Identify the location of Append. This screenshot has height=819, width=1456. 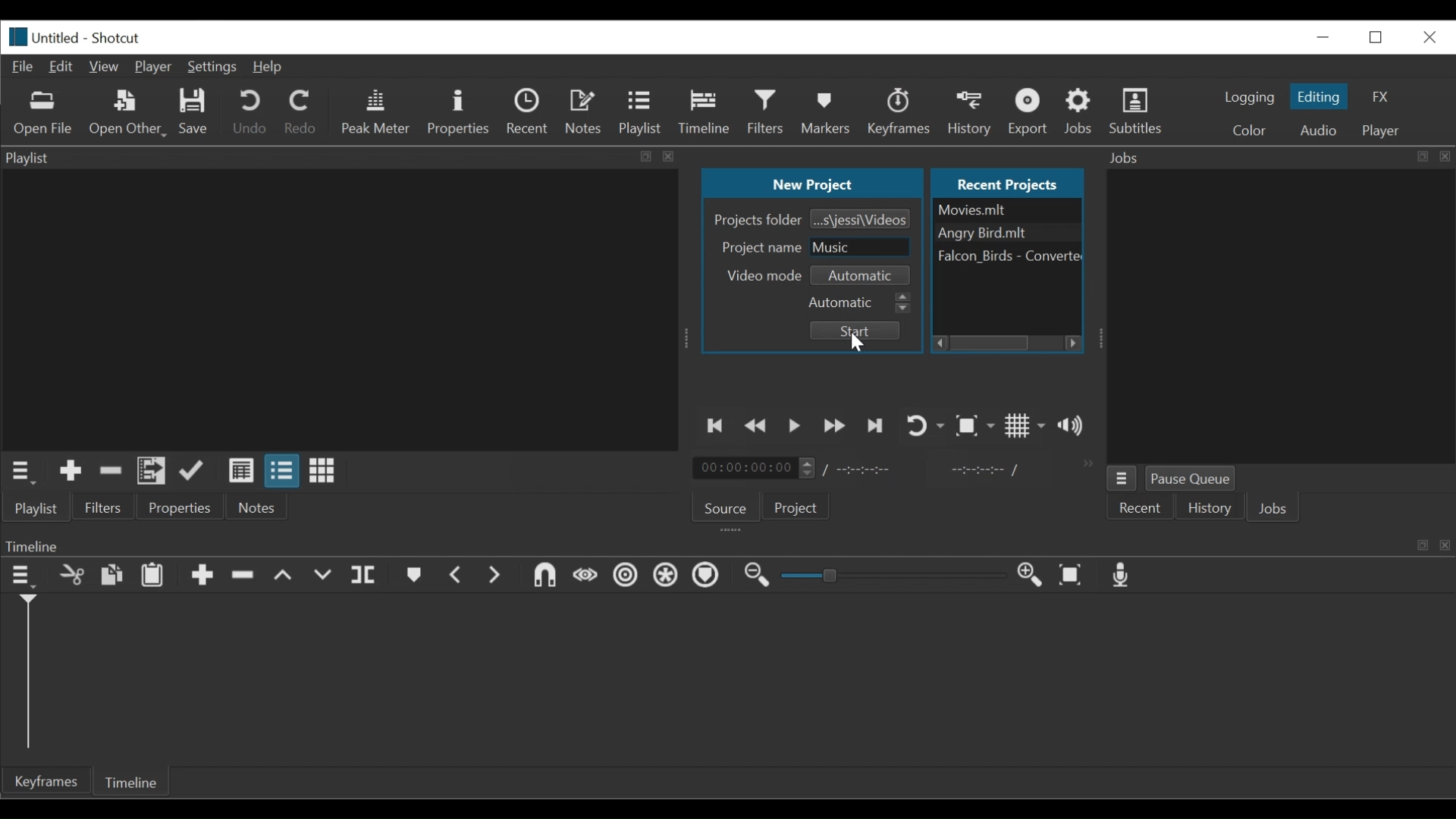
(202, 576).